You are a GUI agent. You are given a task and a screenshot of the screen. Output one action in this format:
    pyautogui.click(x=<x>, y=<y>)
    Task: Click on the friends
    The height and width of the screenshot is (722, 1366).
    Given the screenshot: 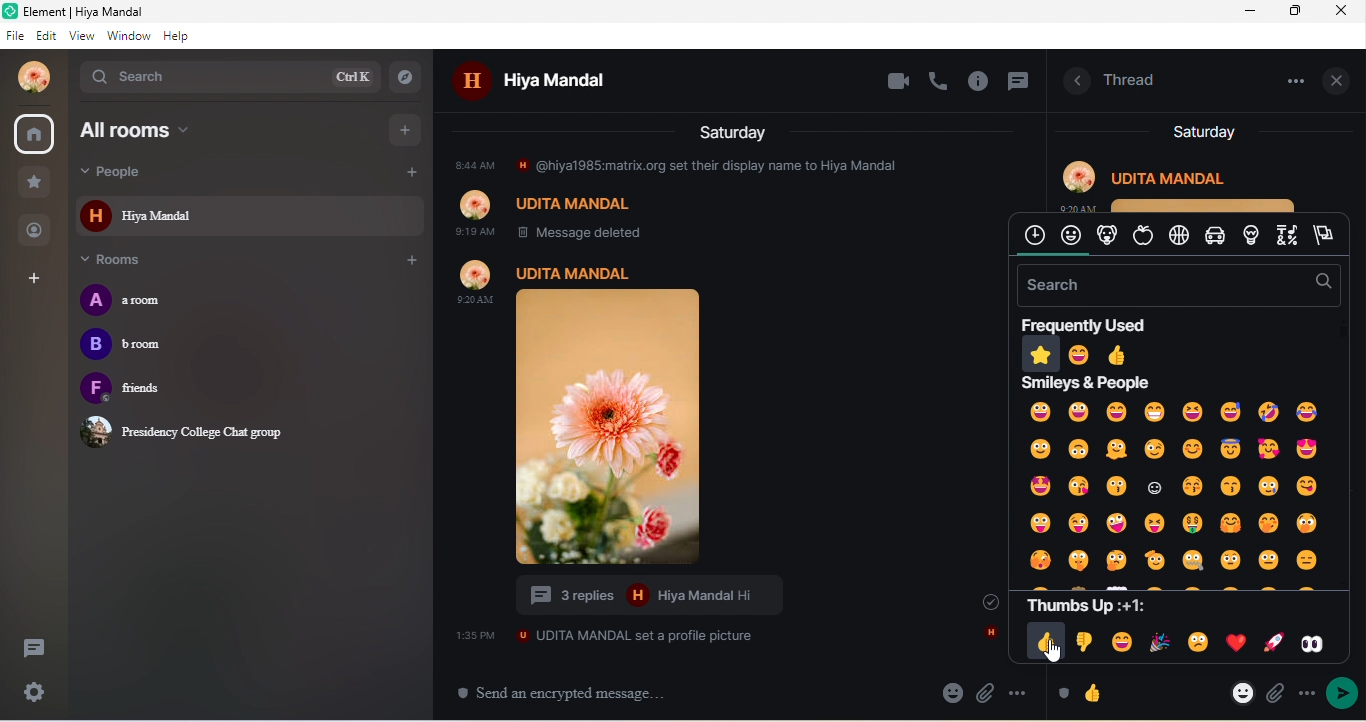 What is the action you would take?
    pyautogui.click(x=152, y=390)
    